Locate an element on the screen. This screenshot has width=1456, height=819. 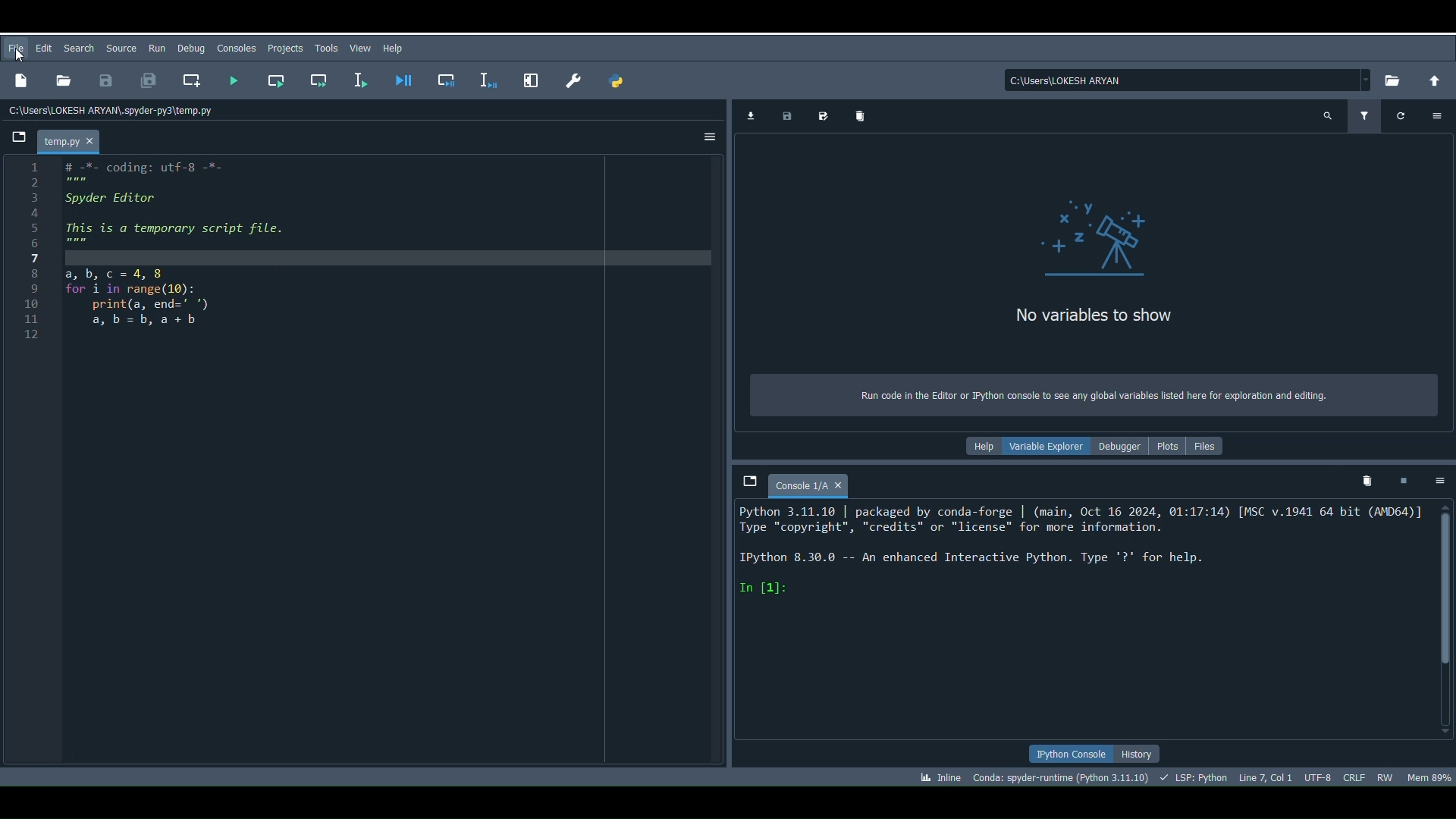
Search variable names and types (Ctrl + F) is located at coordinates (1325, 117).